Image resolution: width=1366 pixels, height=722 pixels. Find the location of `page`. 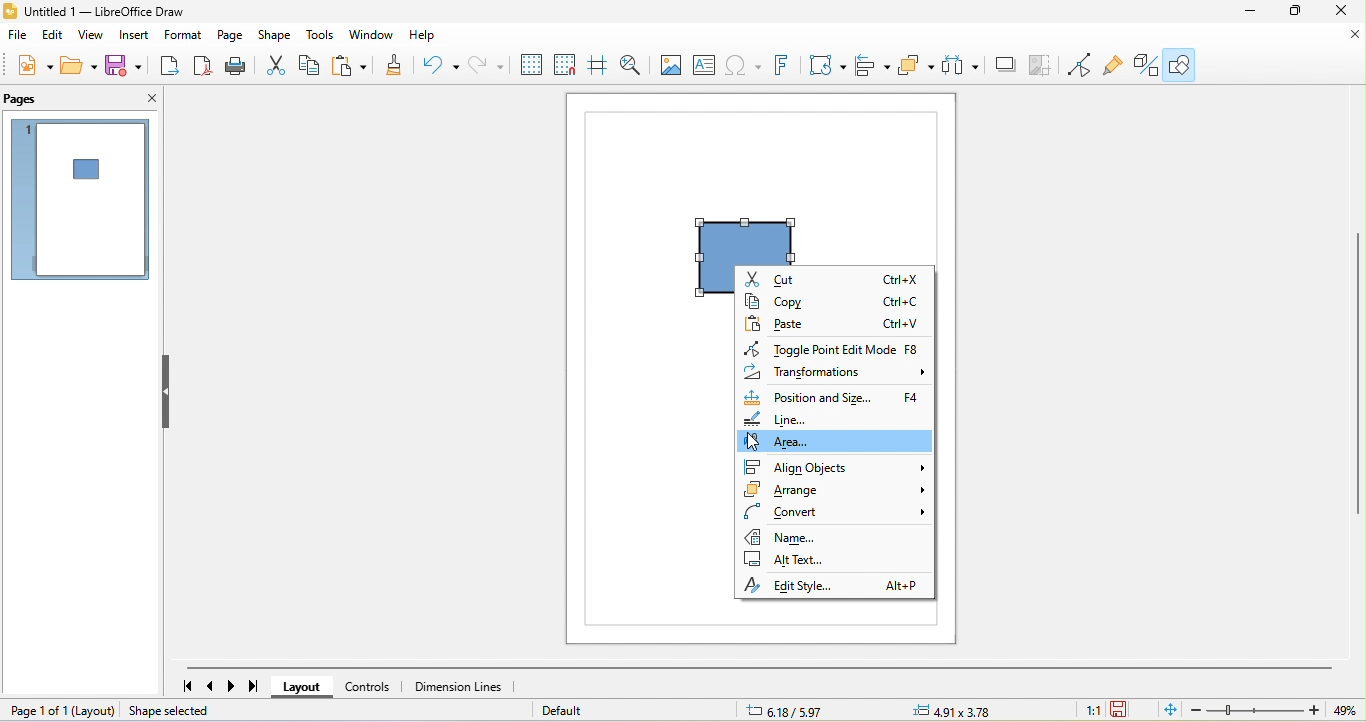

page is located at coordinates (232, 36).